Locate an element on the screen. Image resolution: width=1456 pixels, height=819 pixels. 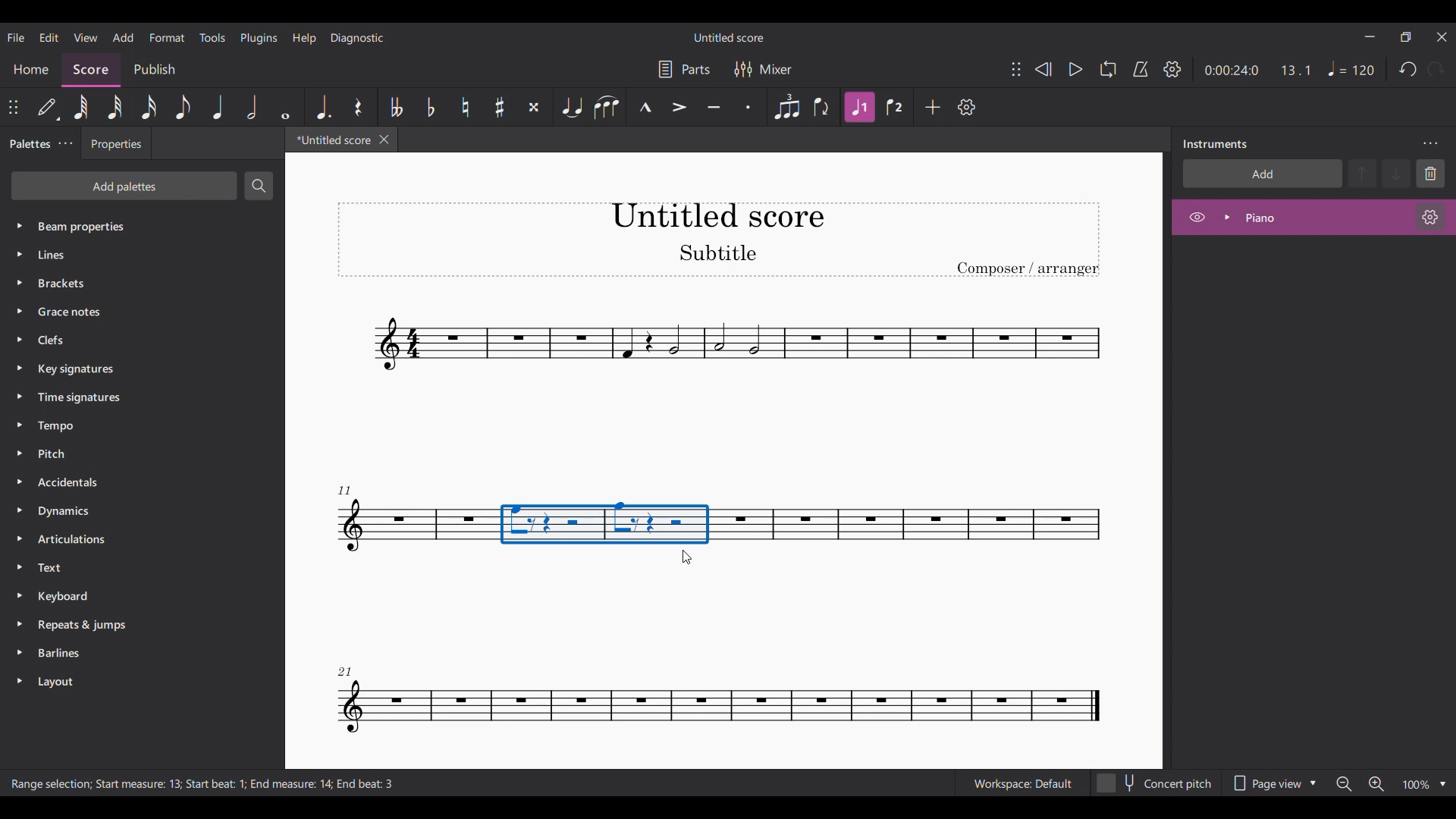
Delete is located at coordinates (1430, 174).